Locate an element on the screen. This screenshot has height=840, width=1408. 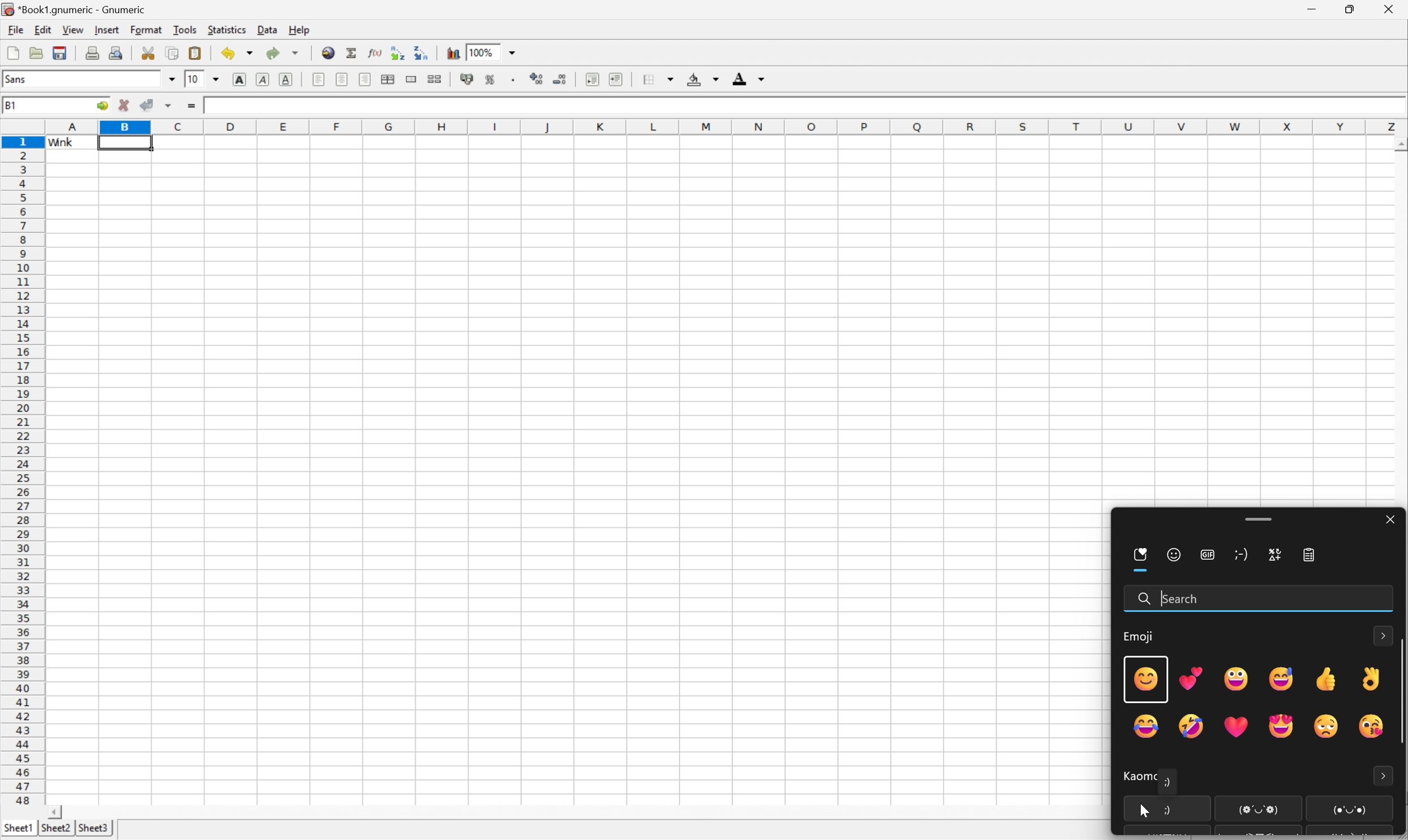
format is located at coordinates (146, 31).